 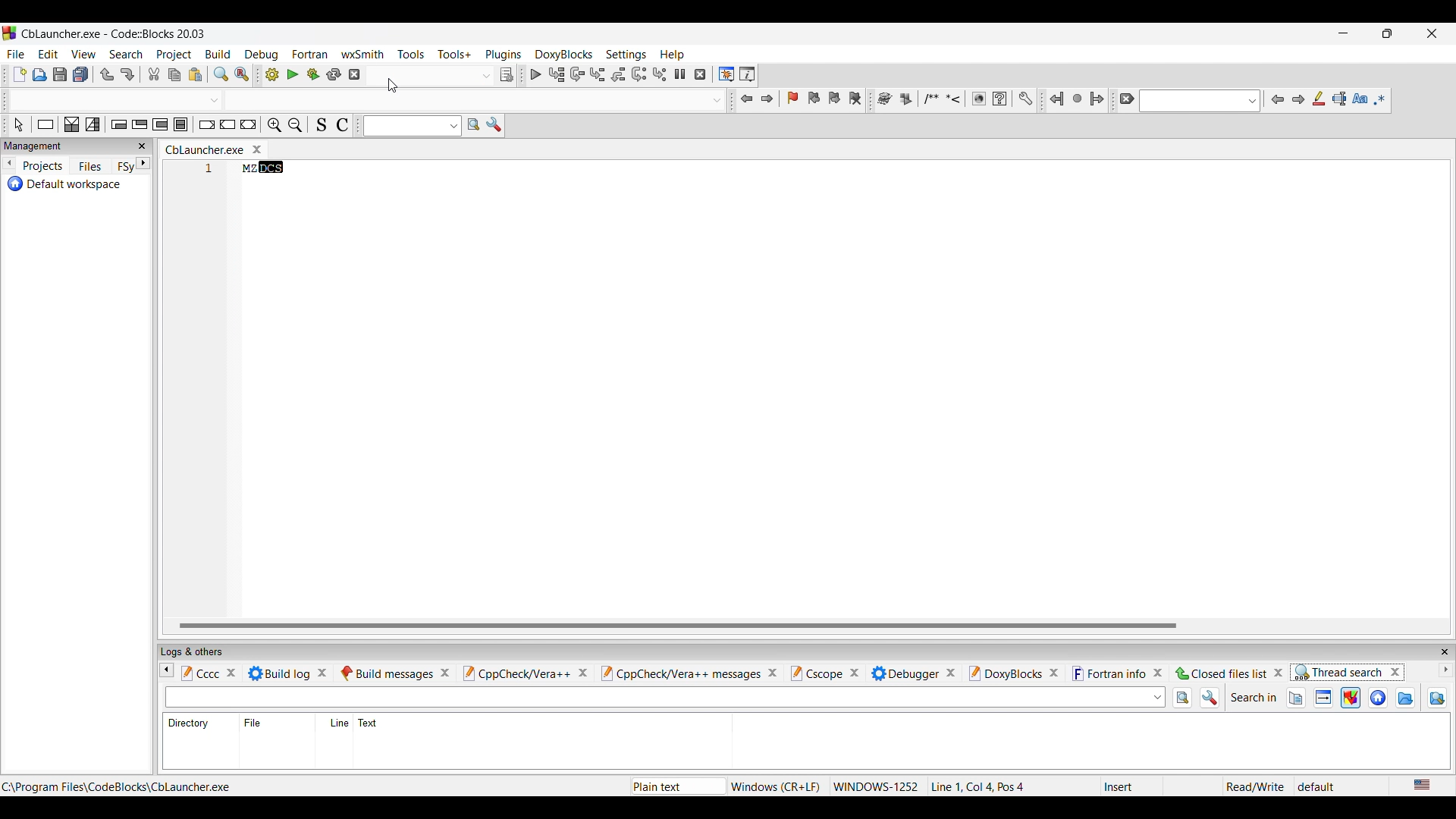 What do you see at coordinates (189, 723) in the screenshot?
I see `Directory column` at bounding box center [189, 723].